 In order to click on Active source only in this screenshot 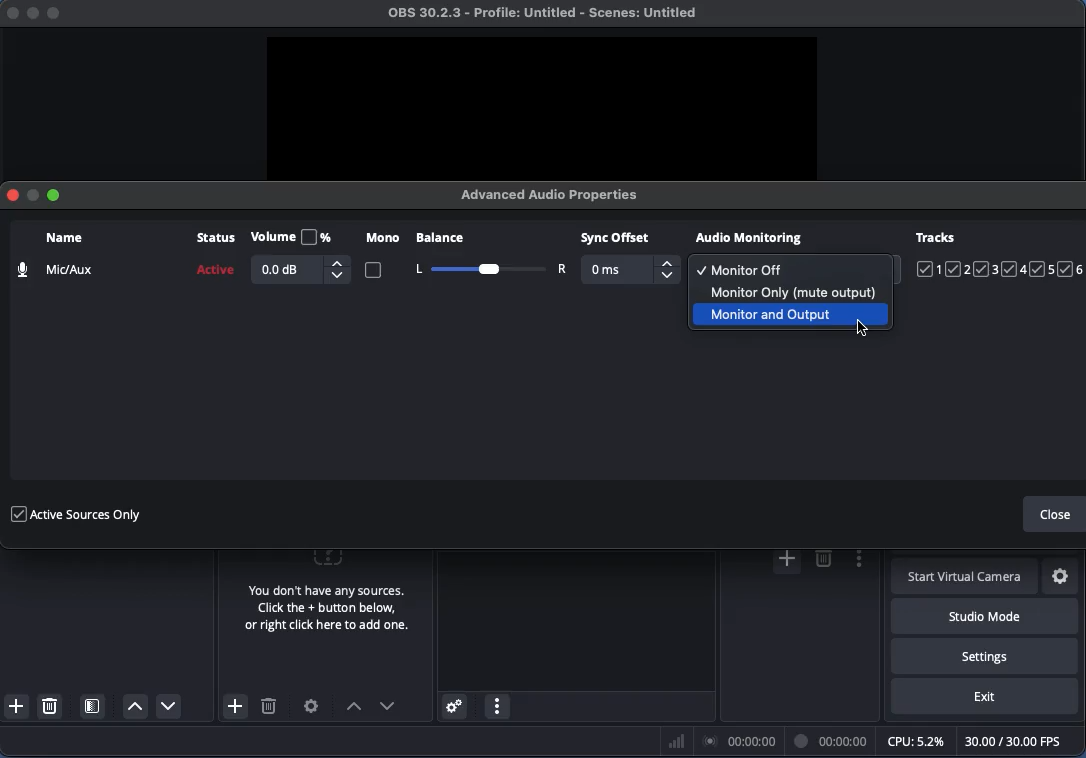, I will do `click(75, 512)`.